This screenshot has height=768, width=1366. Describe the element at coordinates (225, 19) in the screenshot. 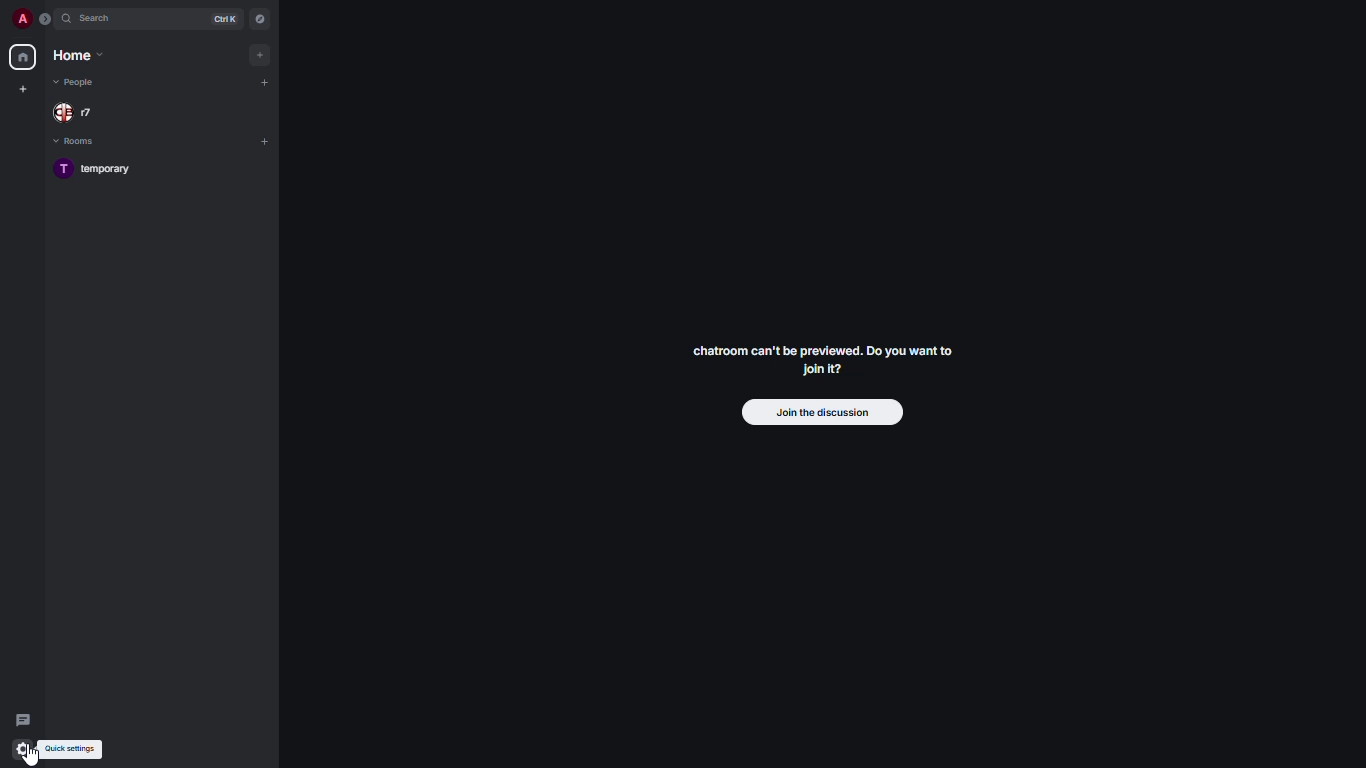

I see `ctrl K` at that location.